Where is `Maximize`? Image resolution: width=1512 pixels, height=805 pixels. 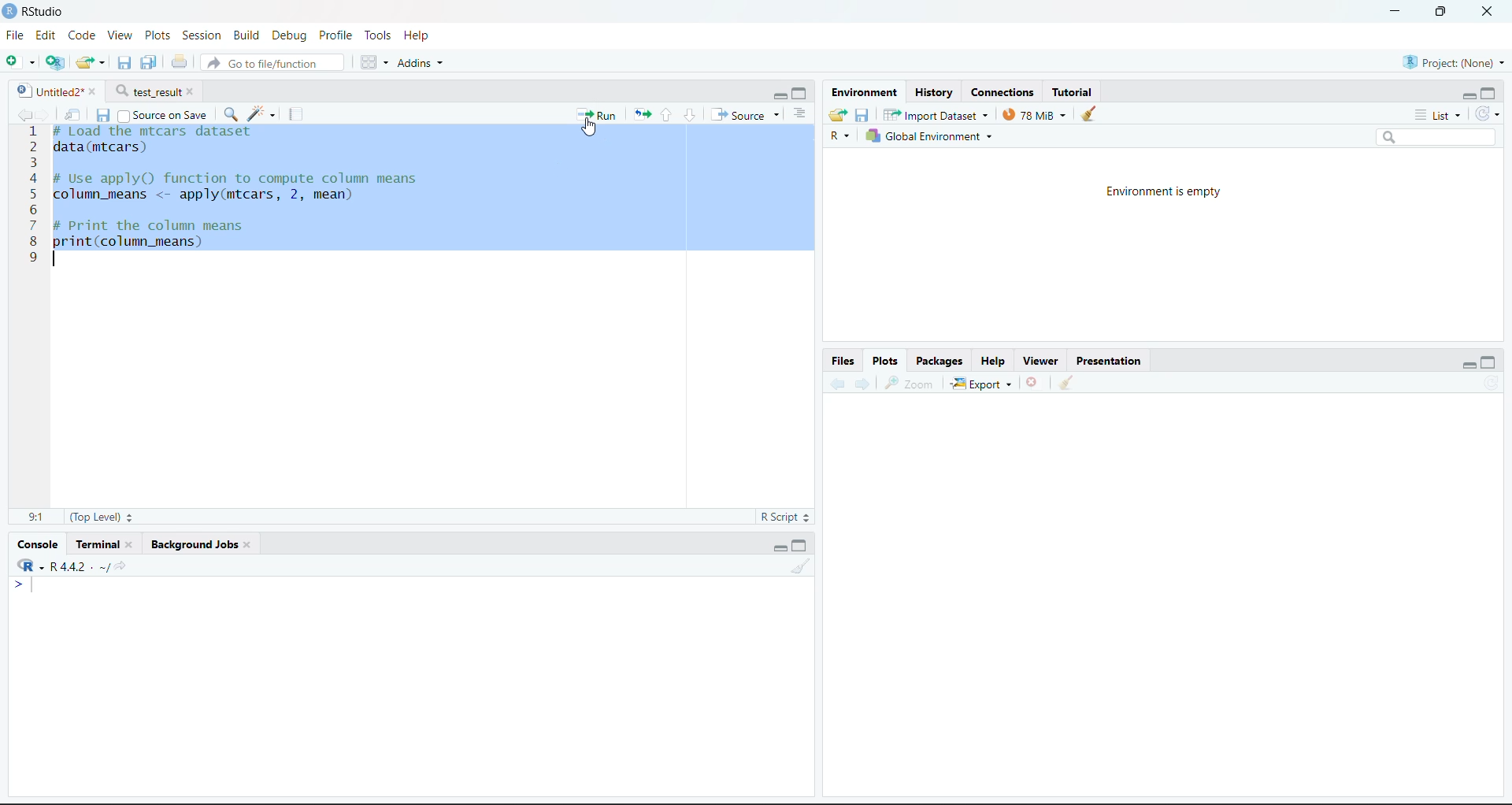 Maximize is located at coordinates (799, 93).